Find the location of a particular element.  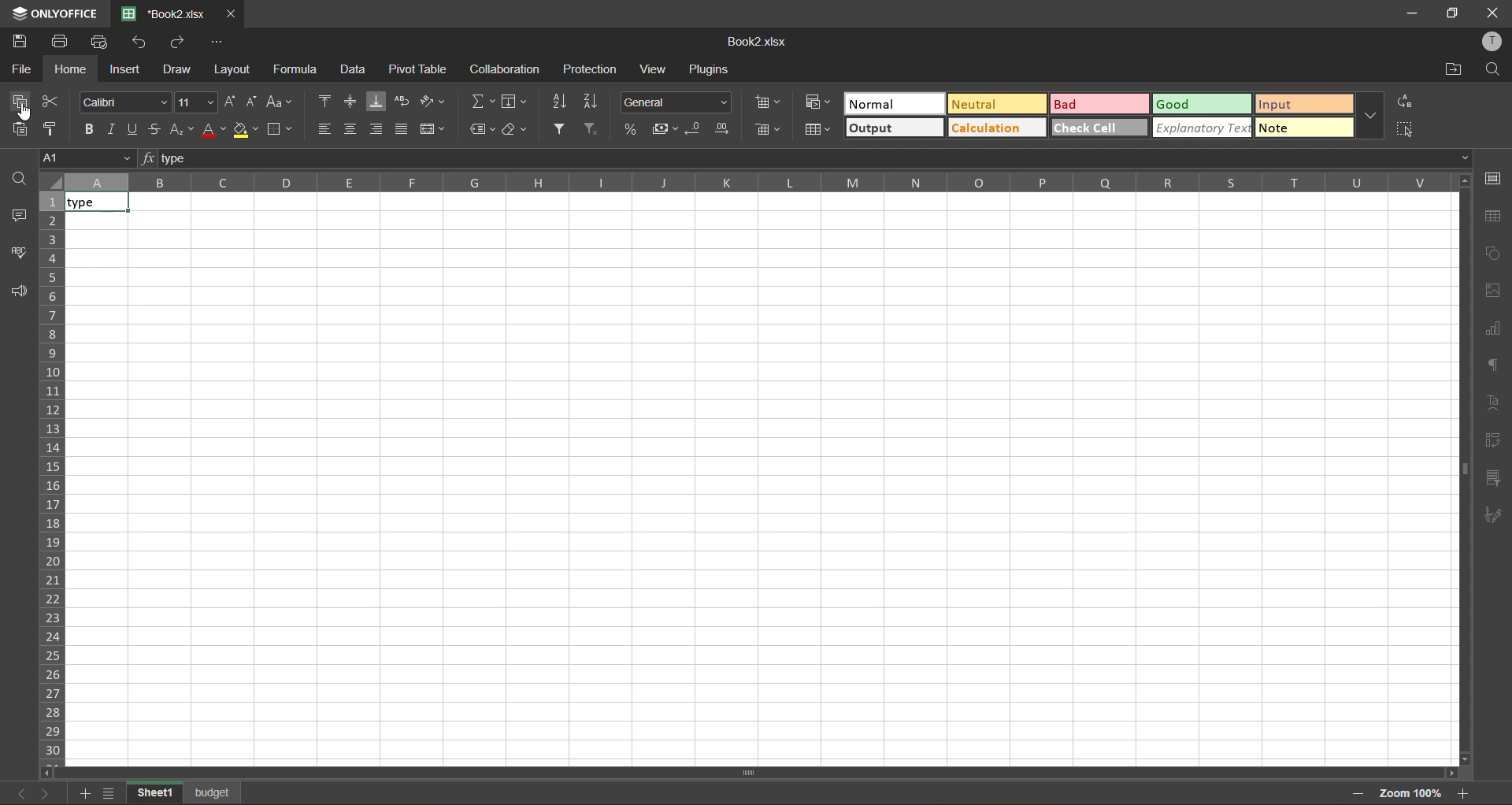

delete cells is located at coordinates (770, 131).